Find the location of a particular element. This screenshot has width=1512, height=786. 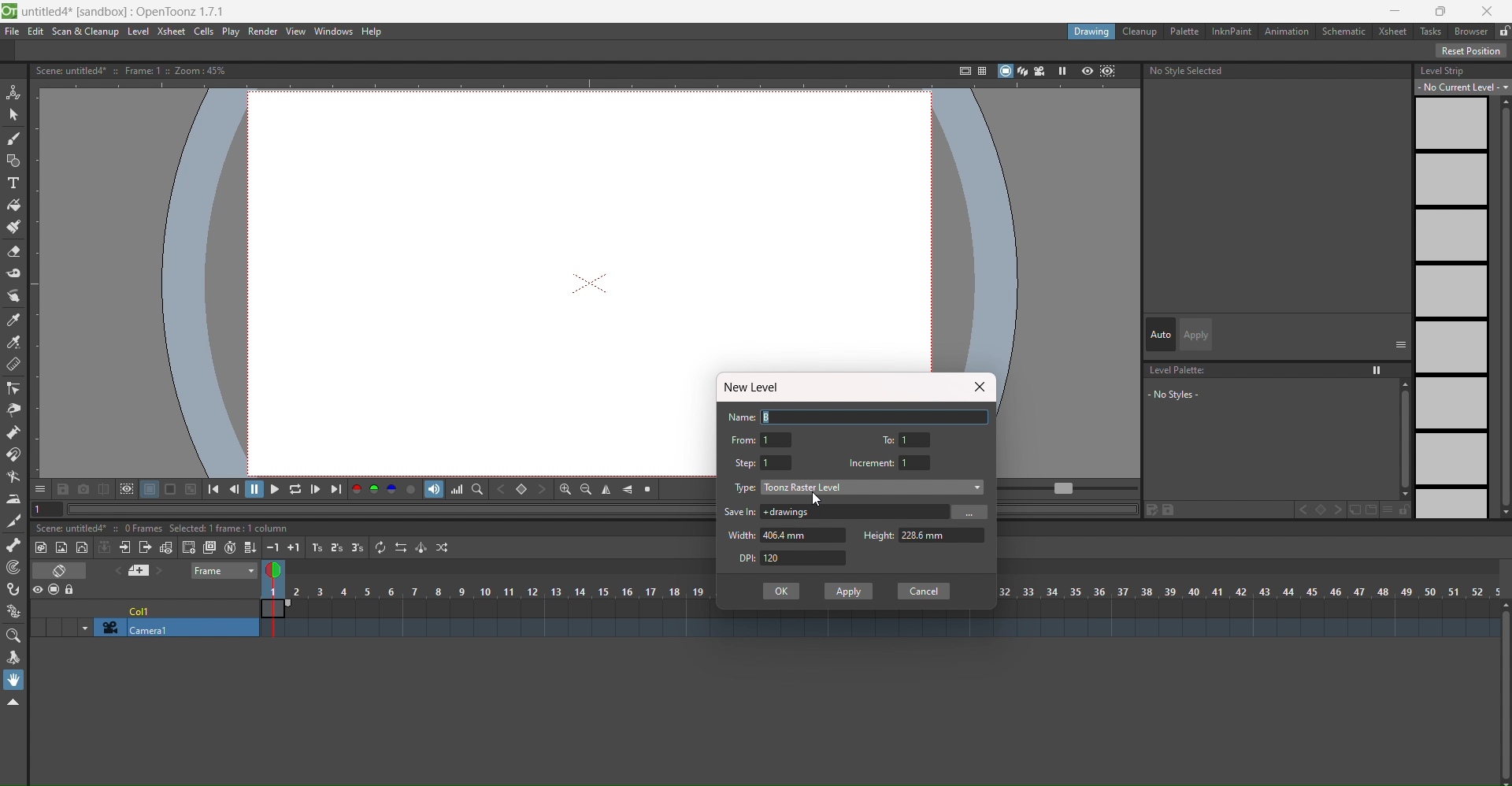

save in is located at coordinates (741, 511).